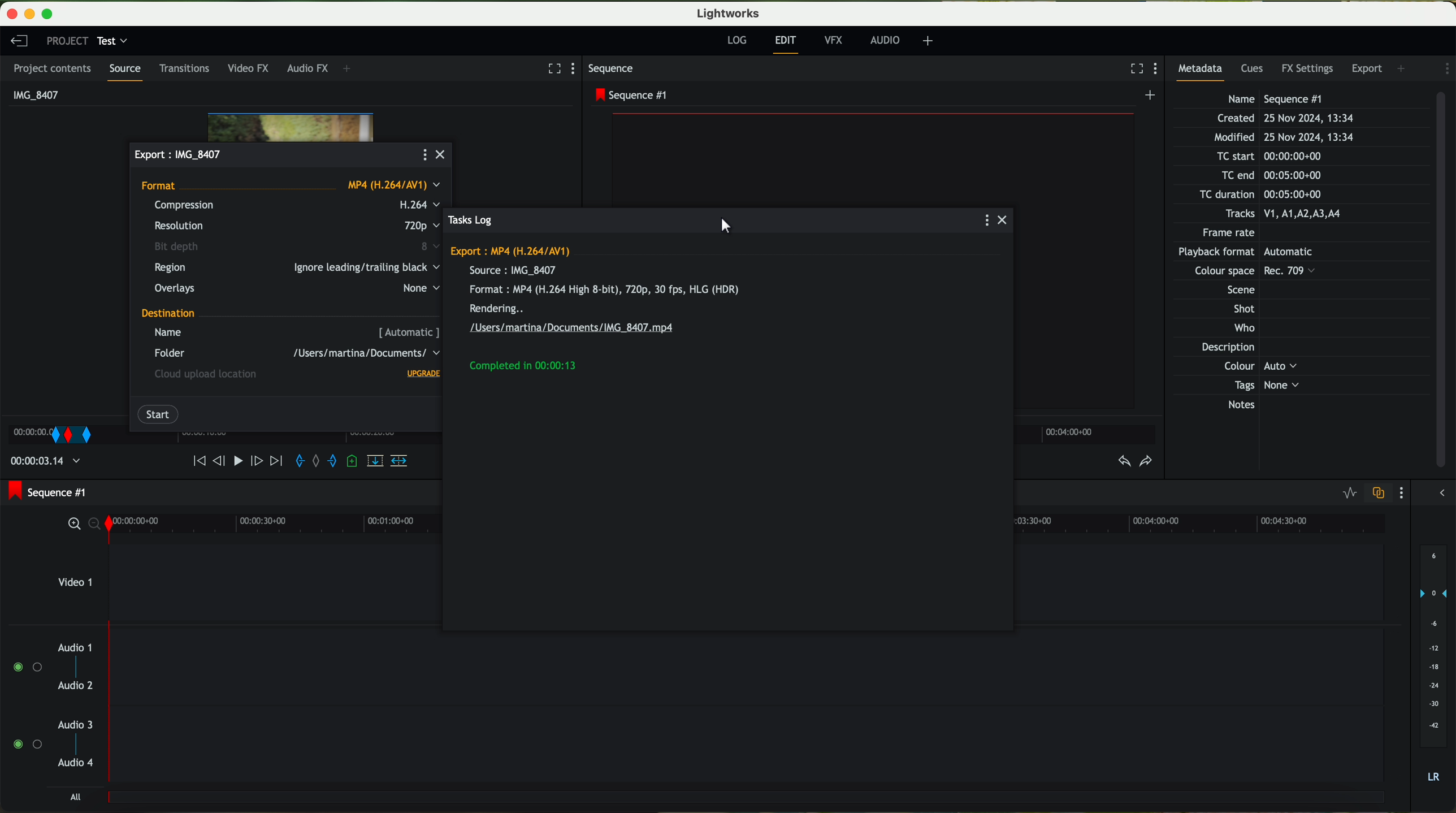 Image resolution: width=1456 pixels, height=813 pixels. Describe the element at coordinates (747, 526) in the screenshot. I see `timeline` at that location.